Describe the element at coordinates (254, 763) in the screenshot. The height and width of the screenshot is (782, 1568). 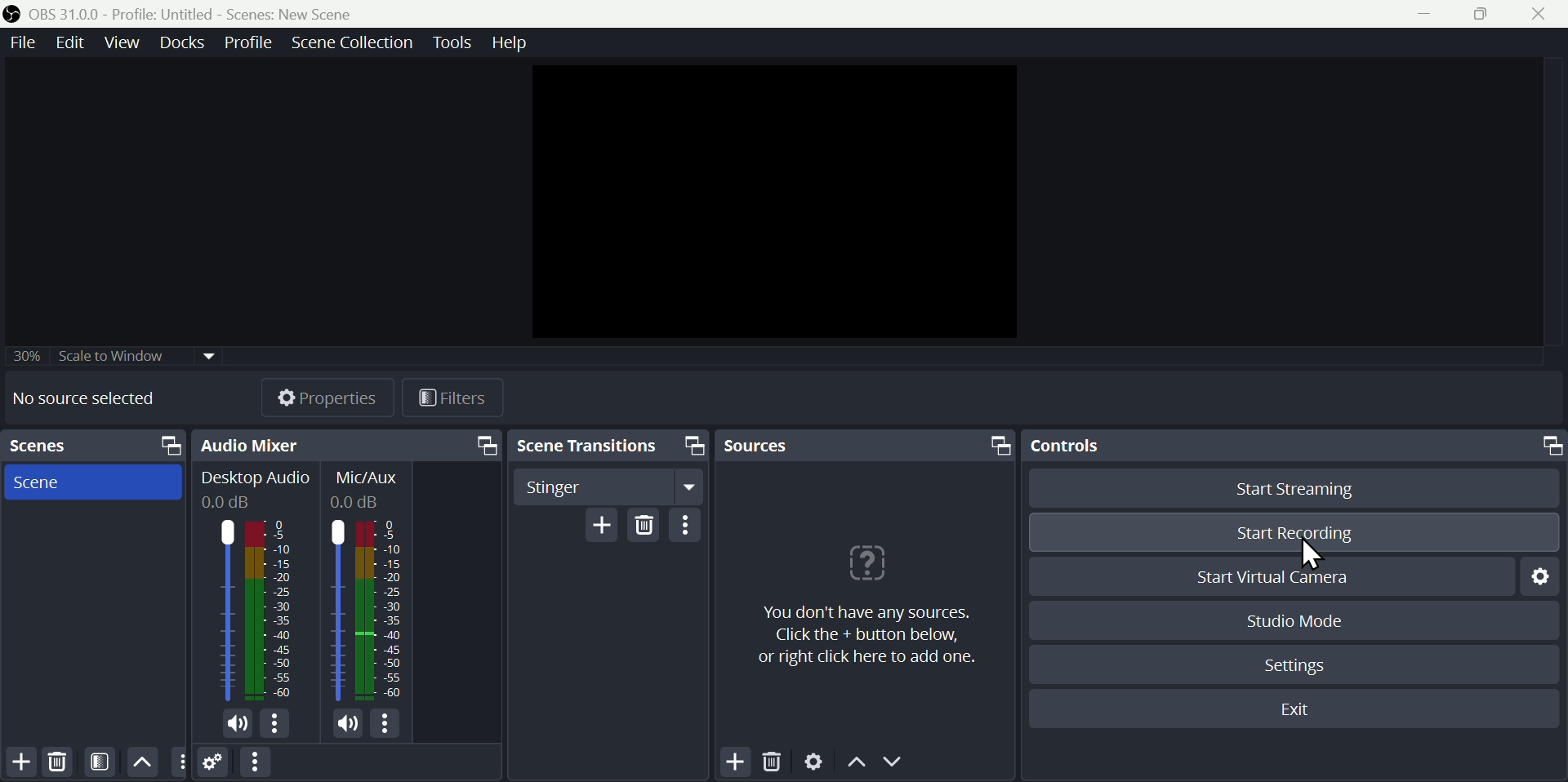
I see `menu bar` at that location.